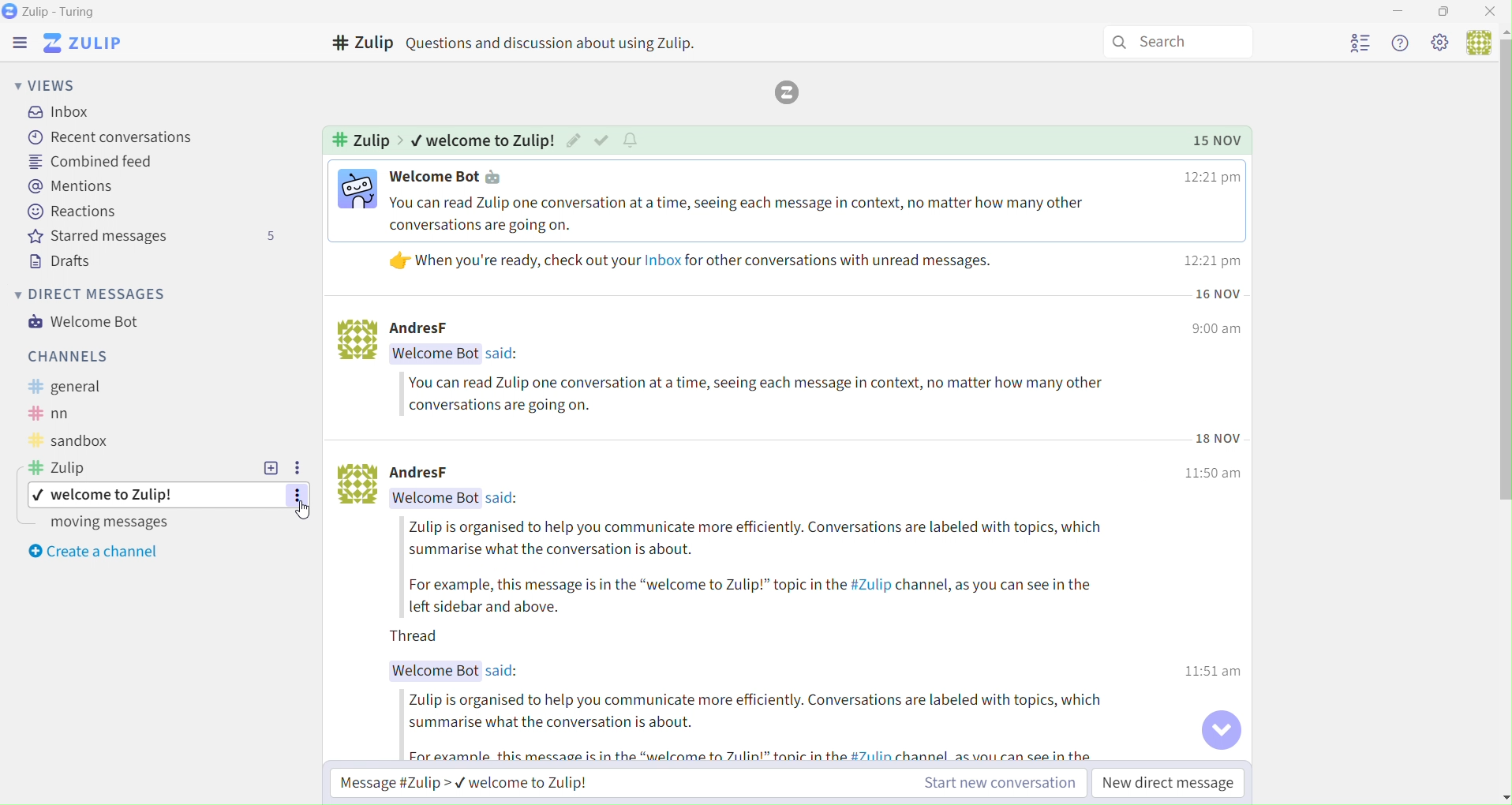  Describe the element at coordinates (88, 162) in the screenshot. I see `Combined Feed` at that location.